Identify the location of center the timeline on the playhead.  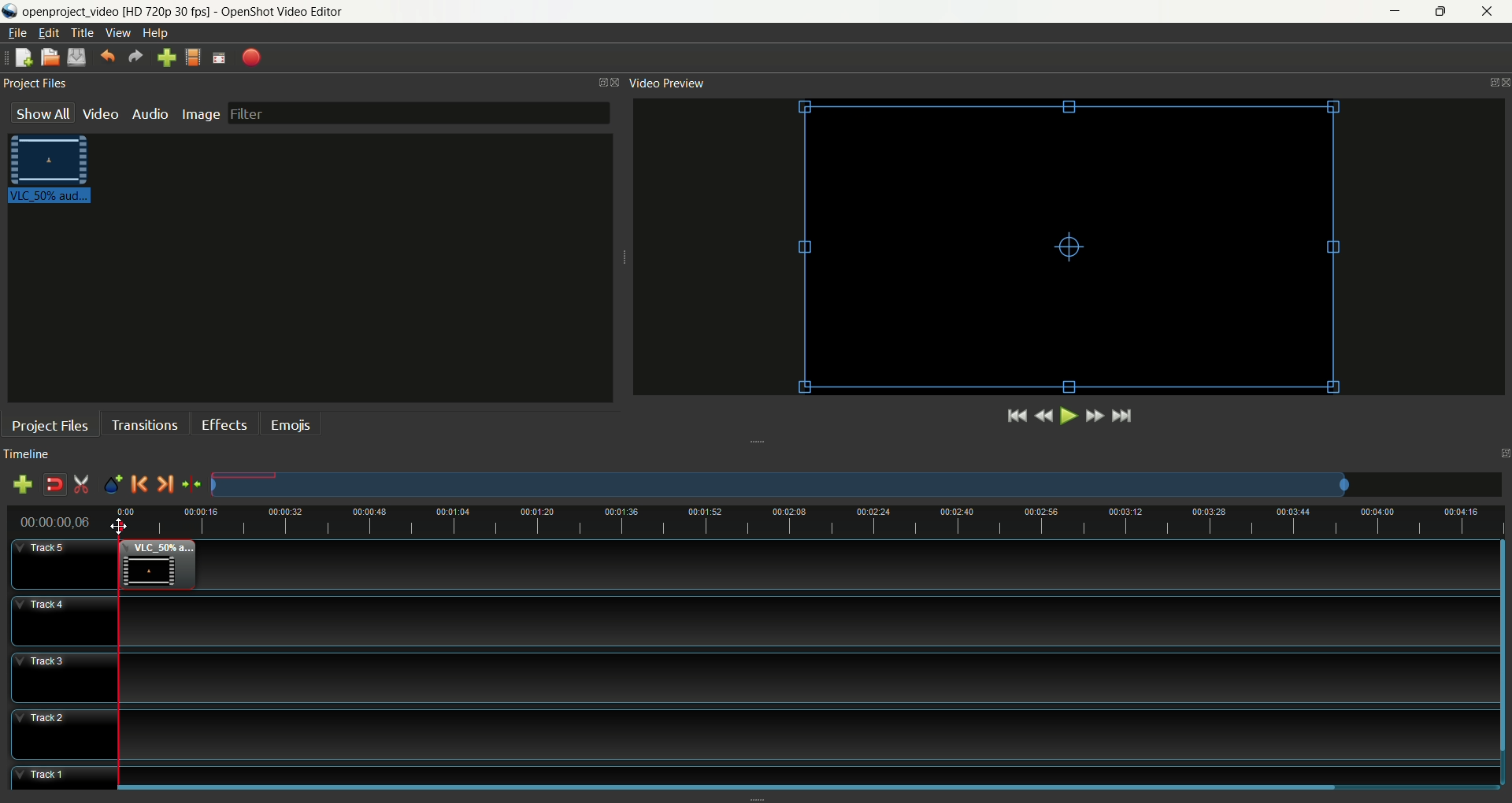
(192, 487).